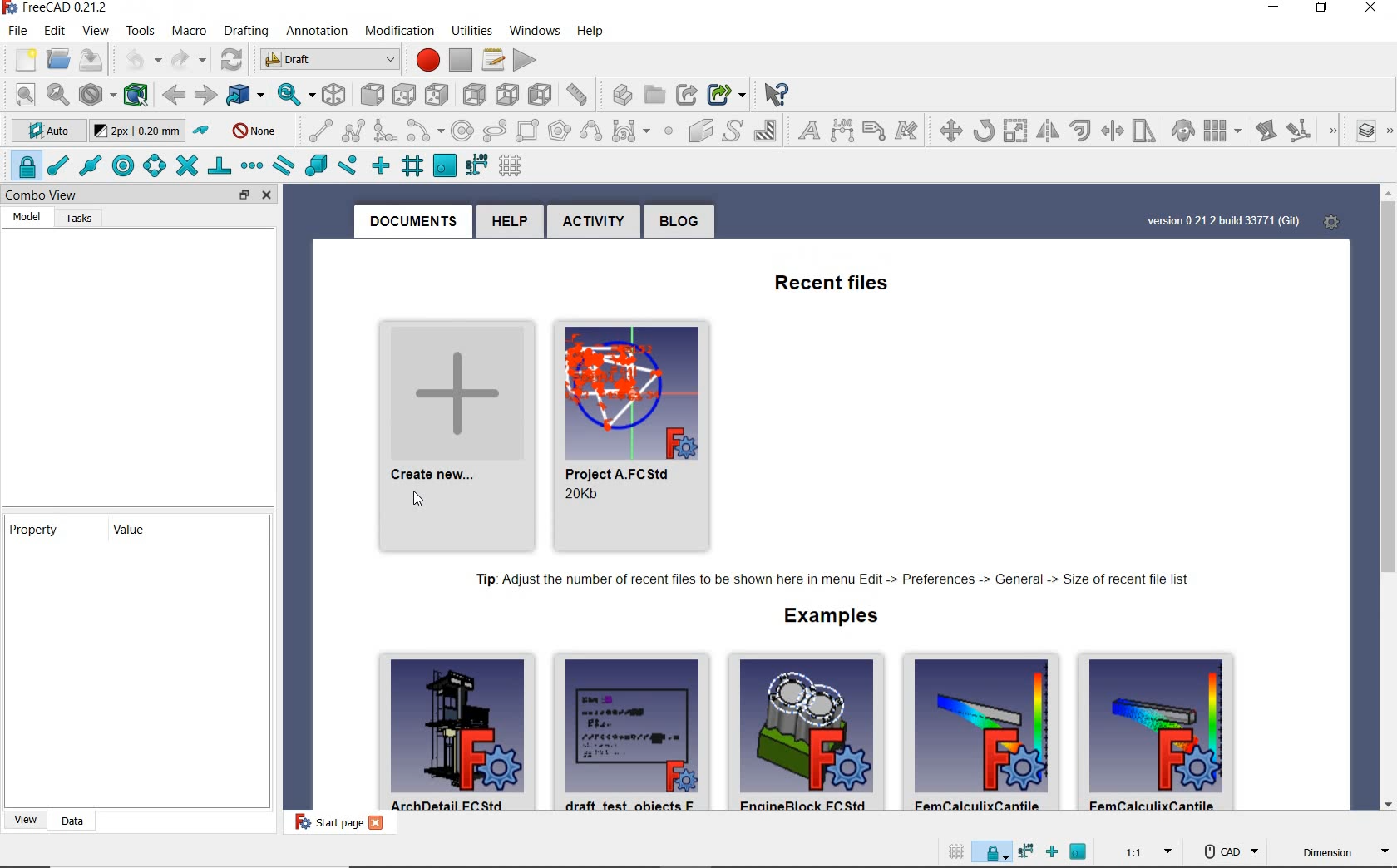  I want to click on fillet, so click(386, 131).